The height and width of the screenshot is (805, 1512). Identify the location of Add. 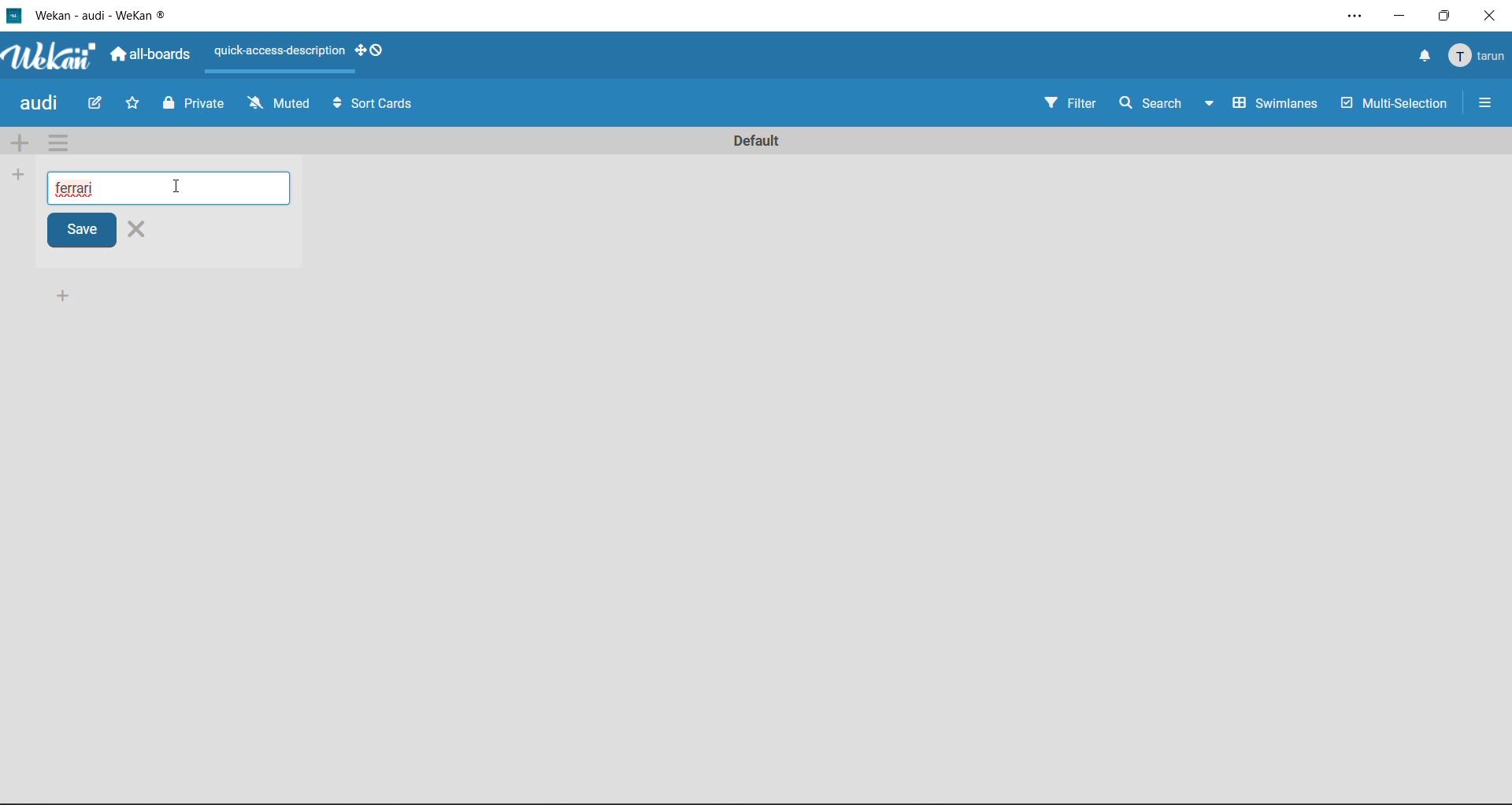
(62, 295).